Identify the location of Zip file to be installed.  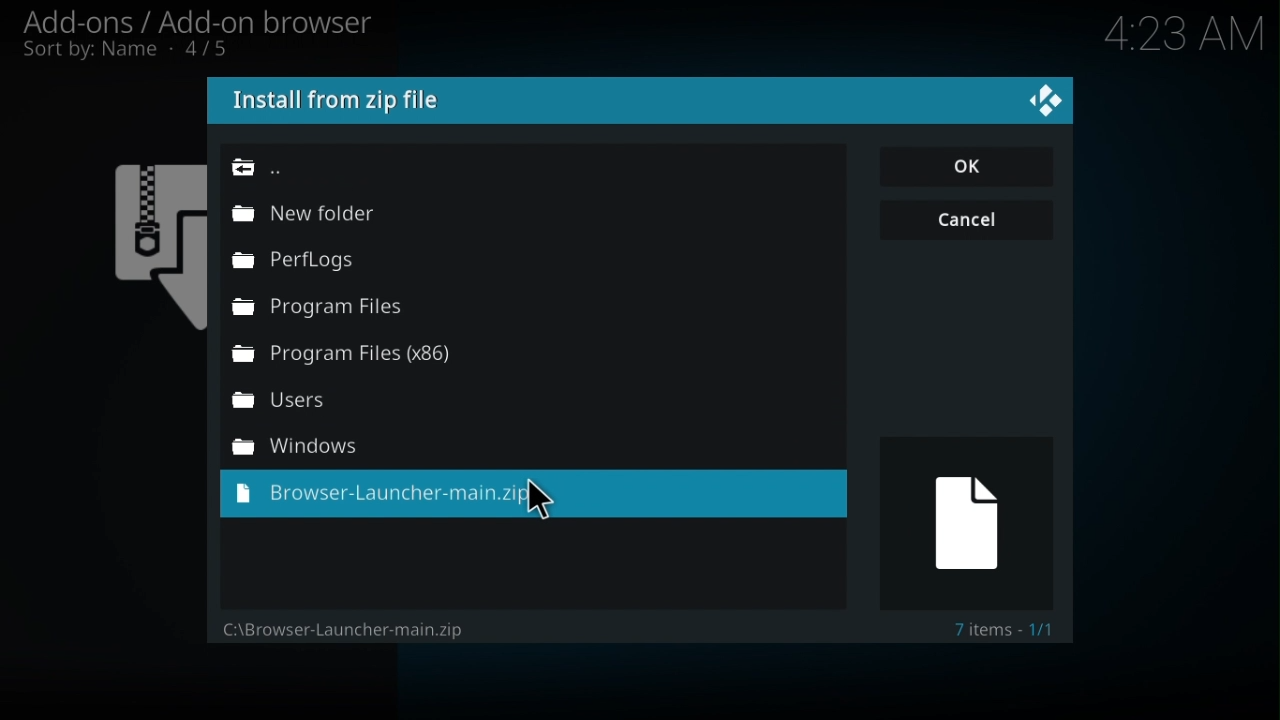
(521, 495).